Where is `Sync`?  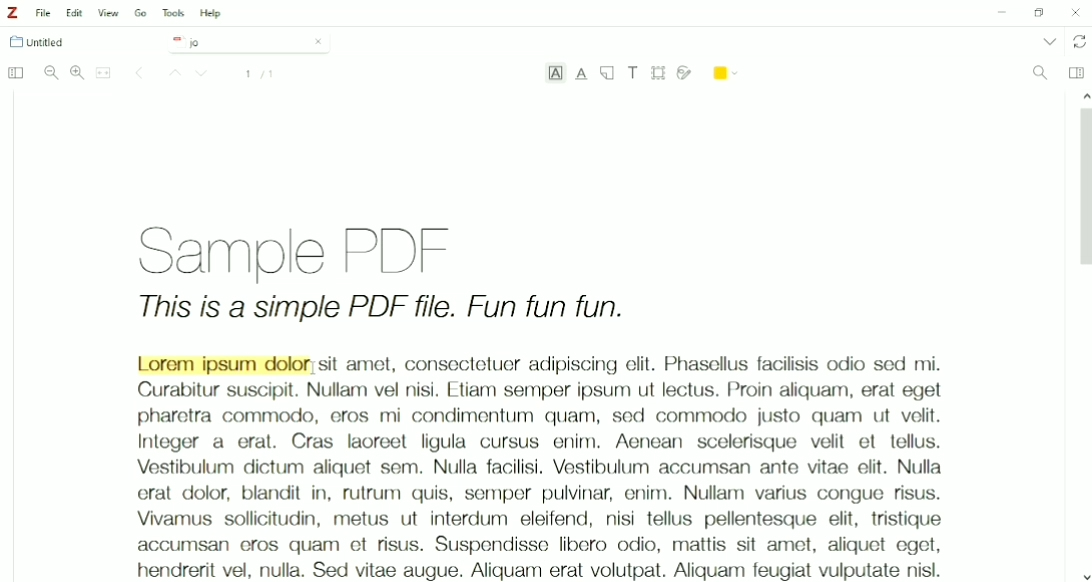 Sync is located at coordinates (1080, 42).